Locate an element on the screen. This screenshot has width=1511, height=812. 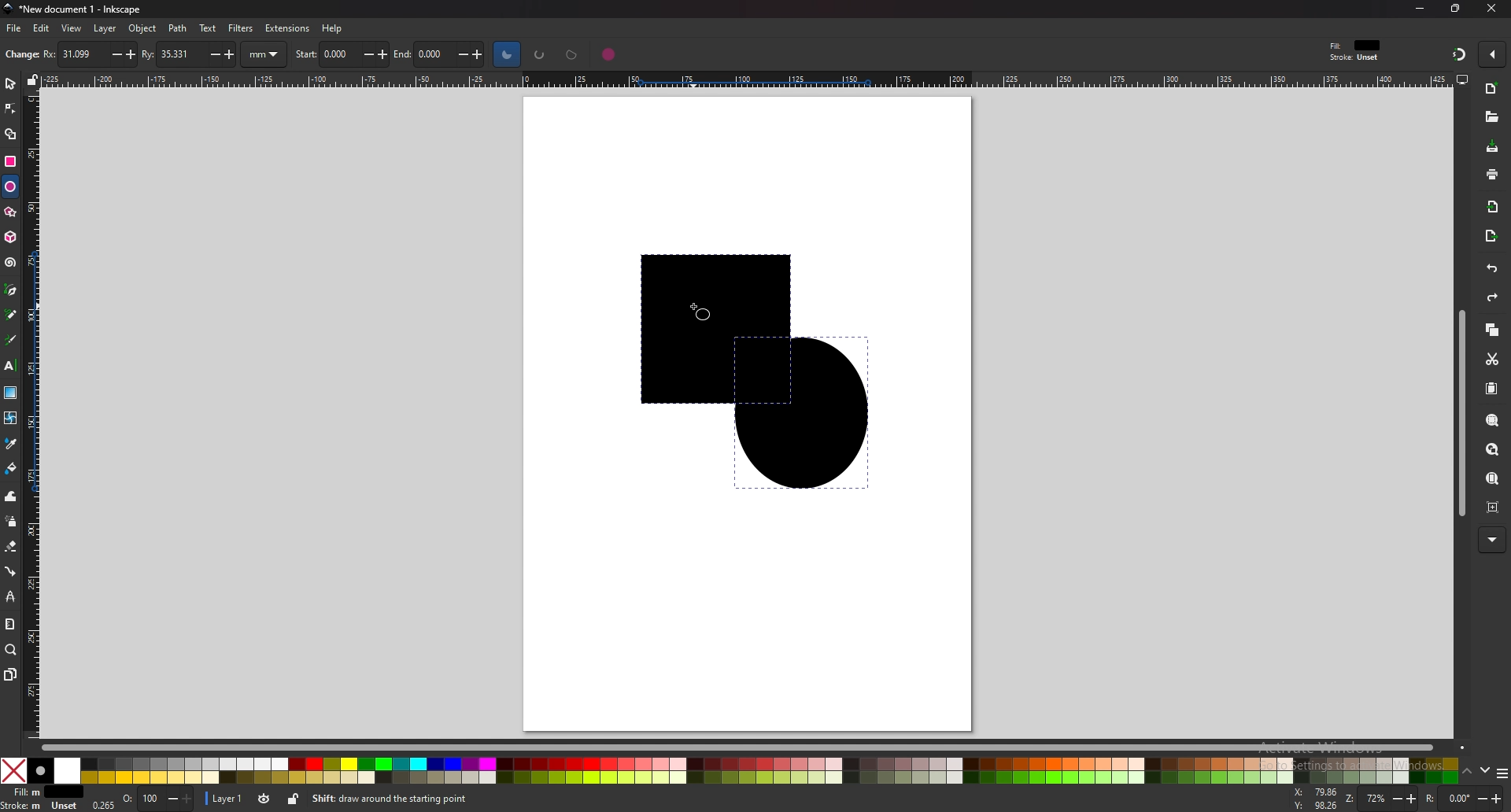
paint bucket is located at coordinates (12, 469).